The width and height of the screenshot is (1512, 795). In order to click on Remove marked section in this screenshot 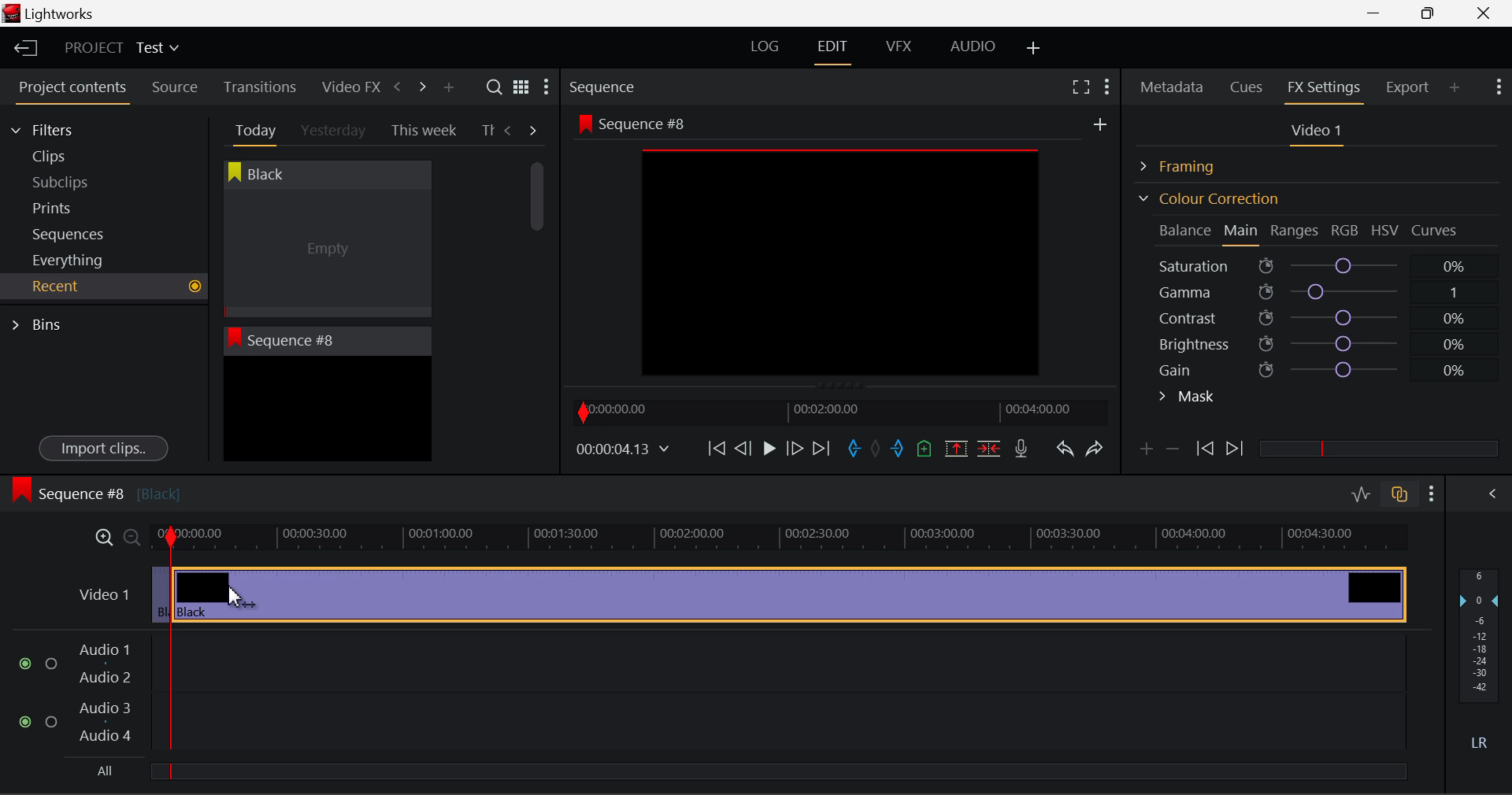, I will do `click(955, 447)`.